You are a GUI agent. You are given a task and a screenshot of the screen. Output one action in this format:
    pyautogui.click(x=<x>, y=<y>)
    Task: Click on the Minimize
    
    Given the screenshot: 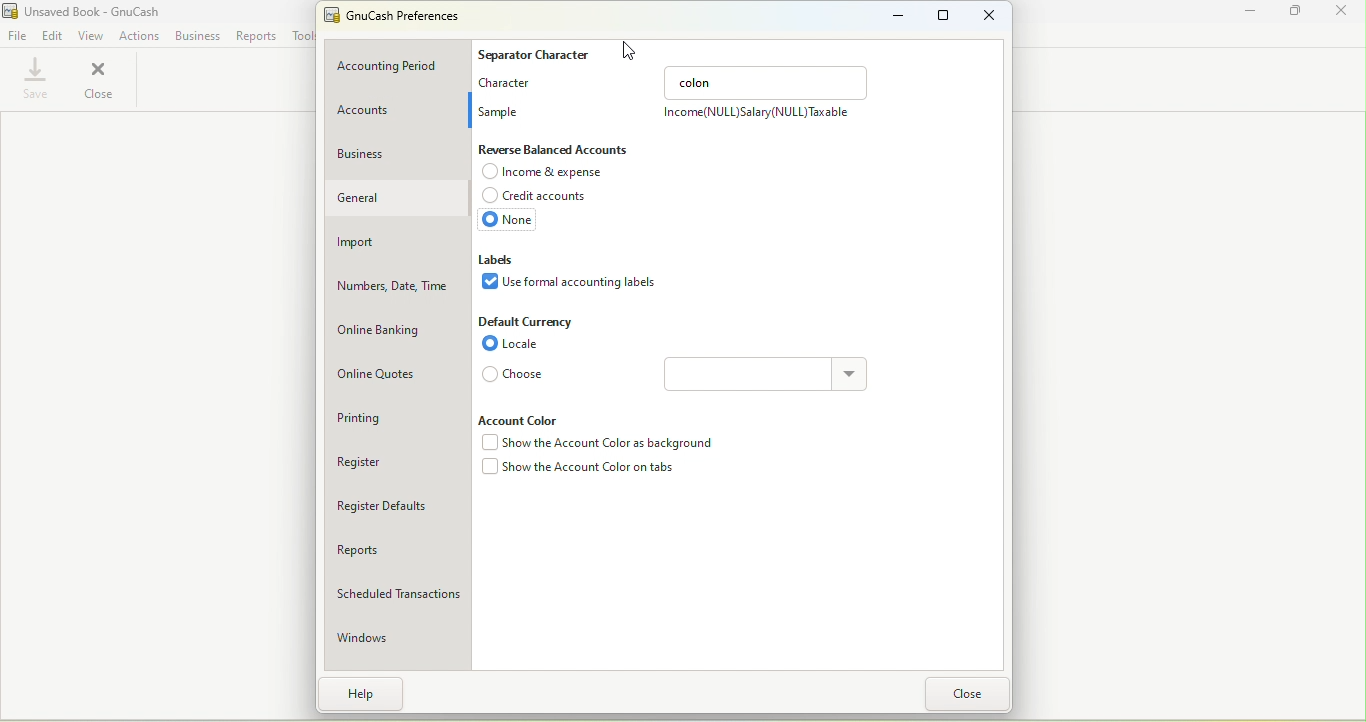 What is the action you would take?
    pyautogui.click(x=888, y=16)
    